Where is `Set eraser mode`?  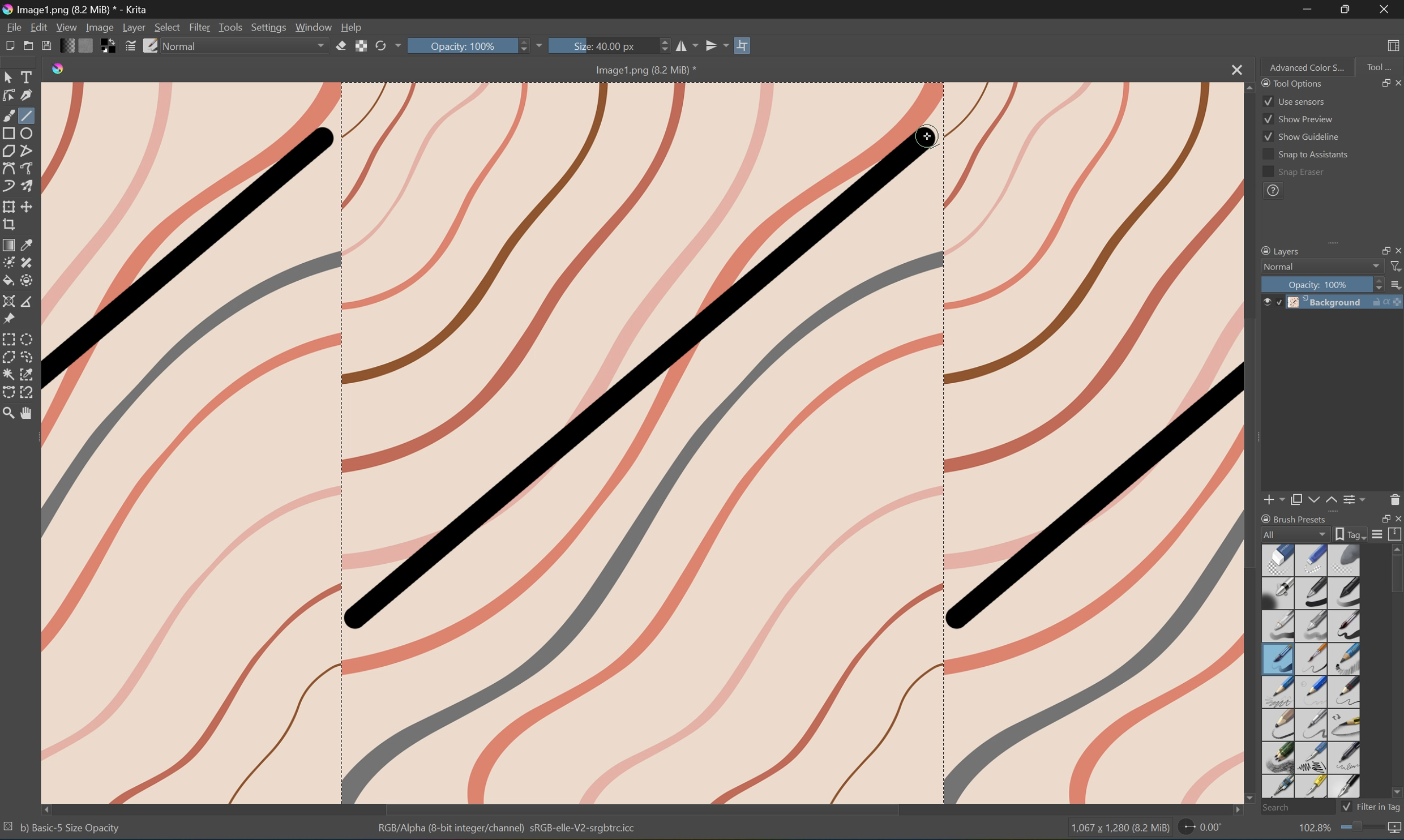 Set eraser mode is located at coordinates (341, 48).